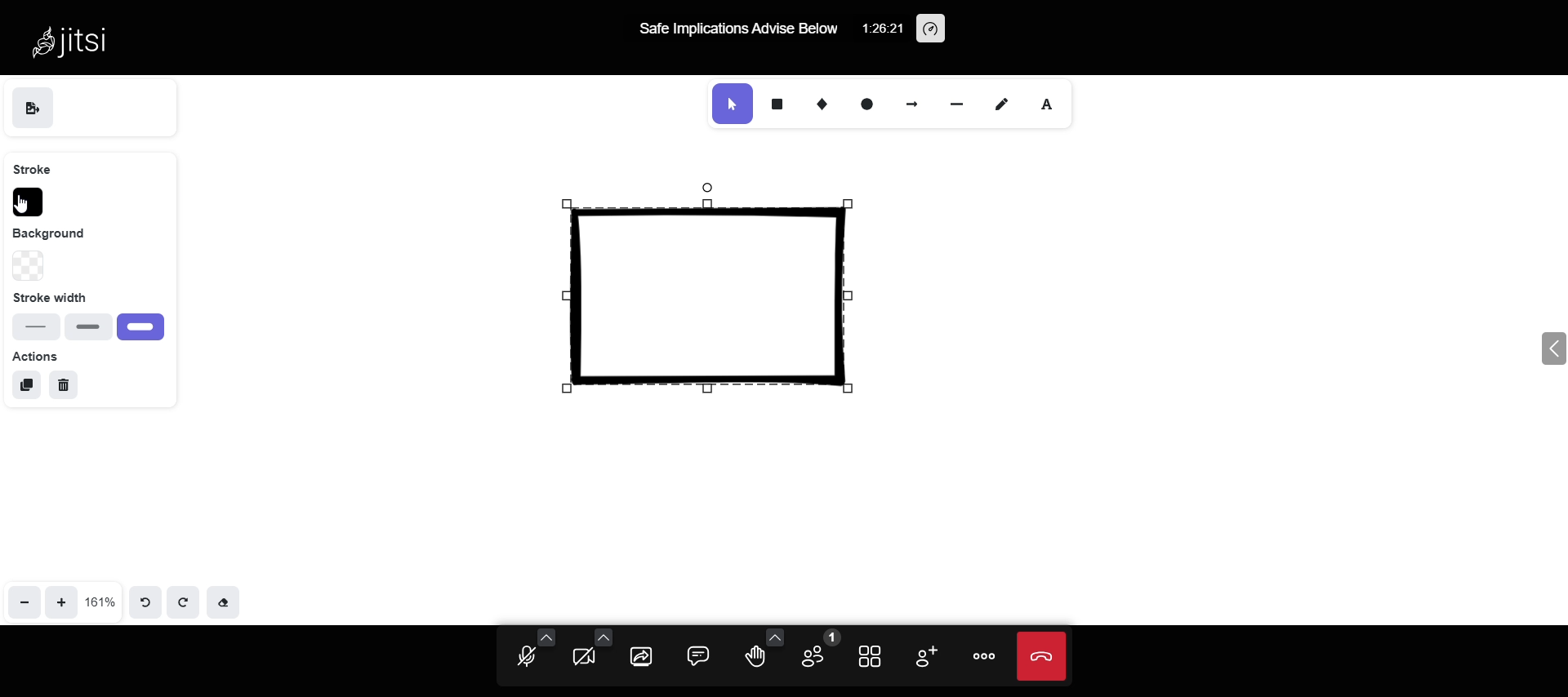  I want to click on selected shape, so click(721, 293).